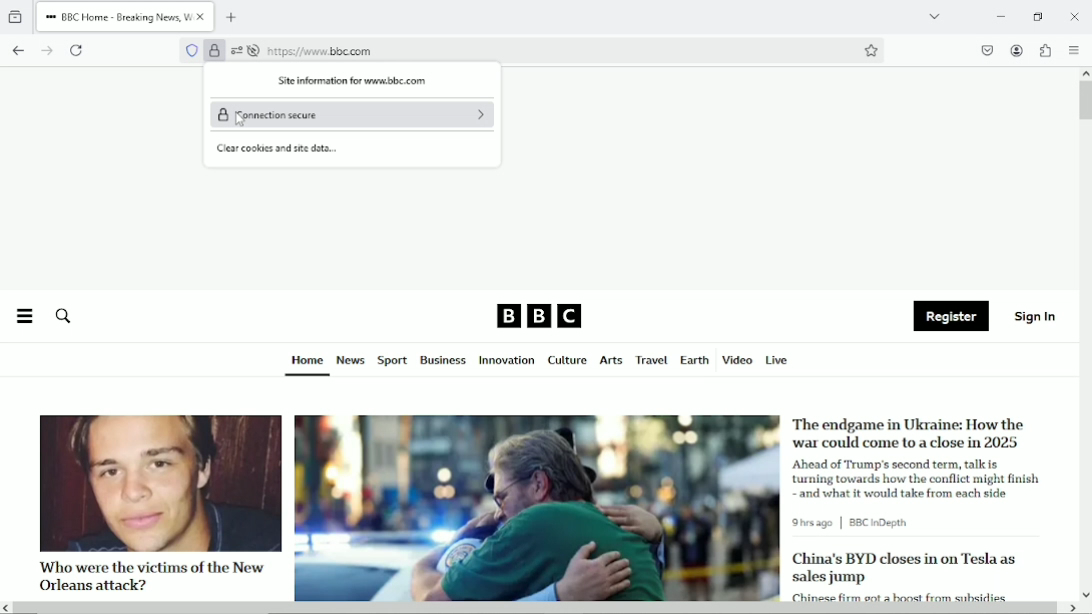 The height and width of the screenshot is (614, 1092). I want to click on No trackers known to firefox were detected on this page, so click(192, 50).